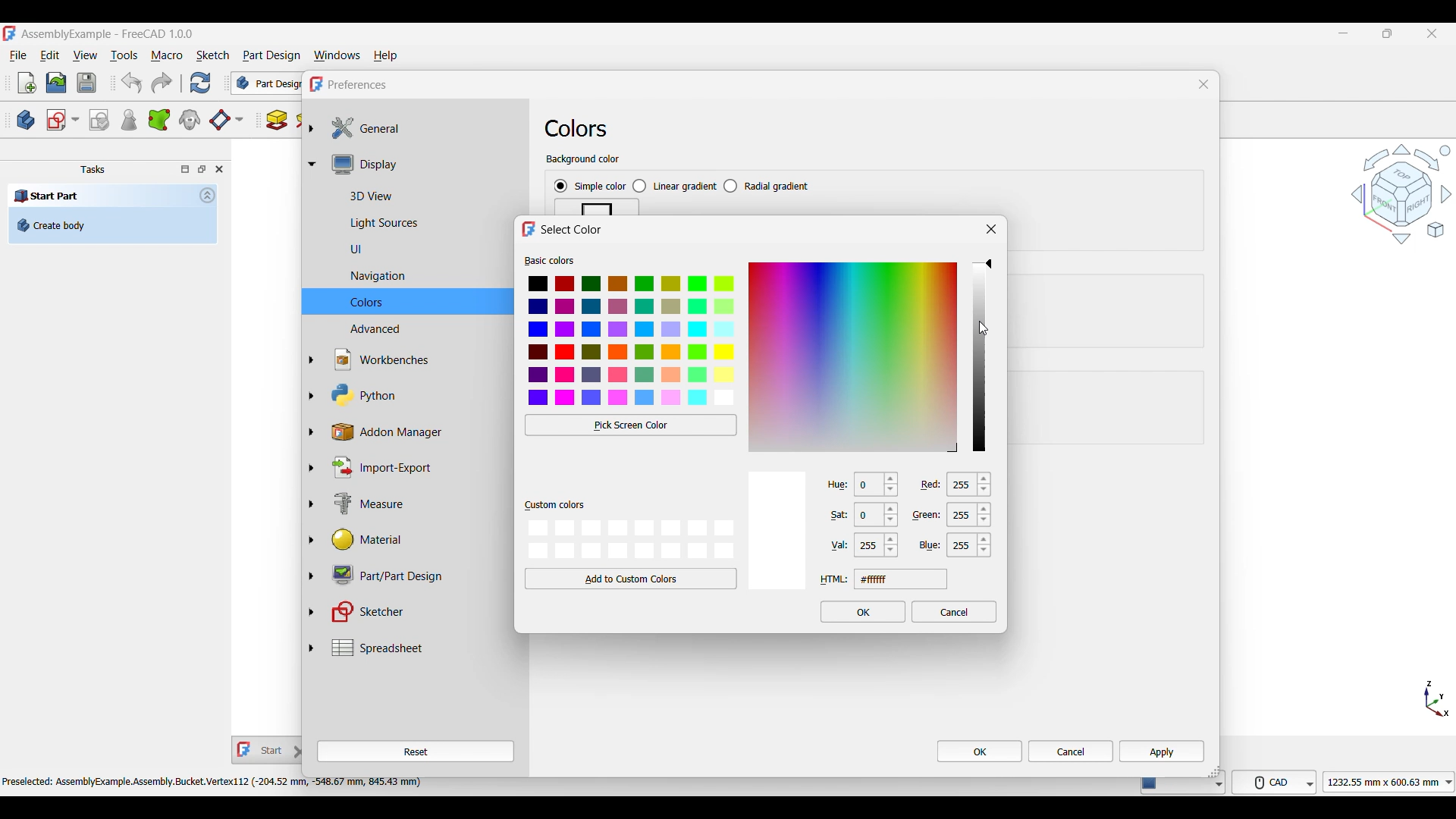  Describe the element at coordinates (834, 546) in the screenshot. I see `val` at that location.